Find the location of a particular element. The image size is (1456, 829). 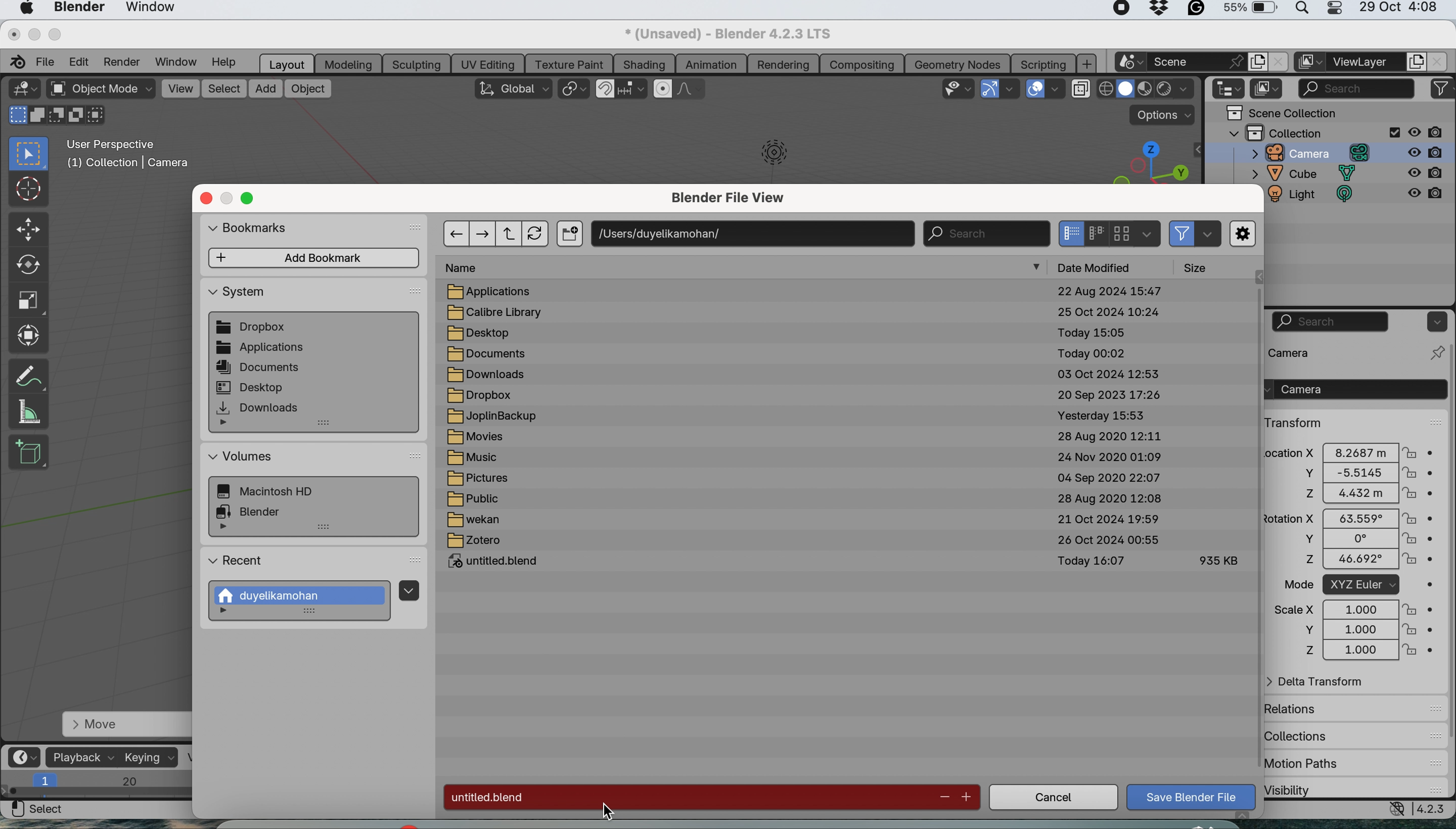

unsaved file name is located at coordinates (686, 797).